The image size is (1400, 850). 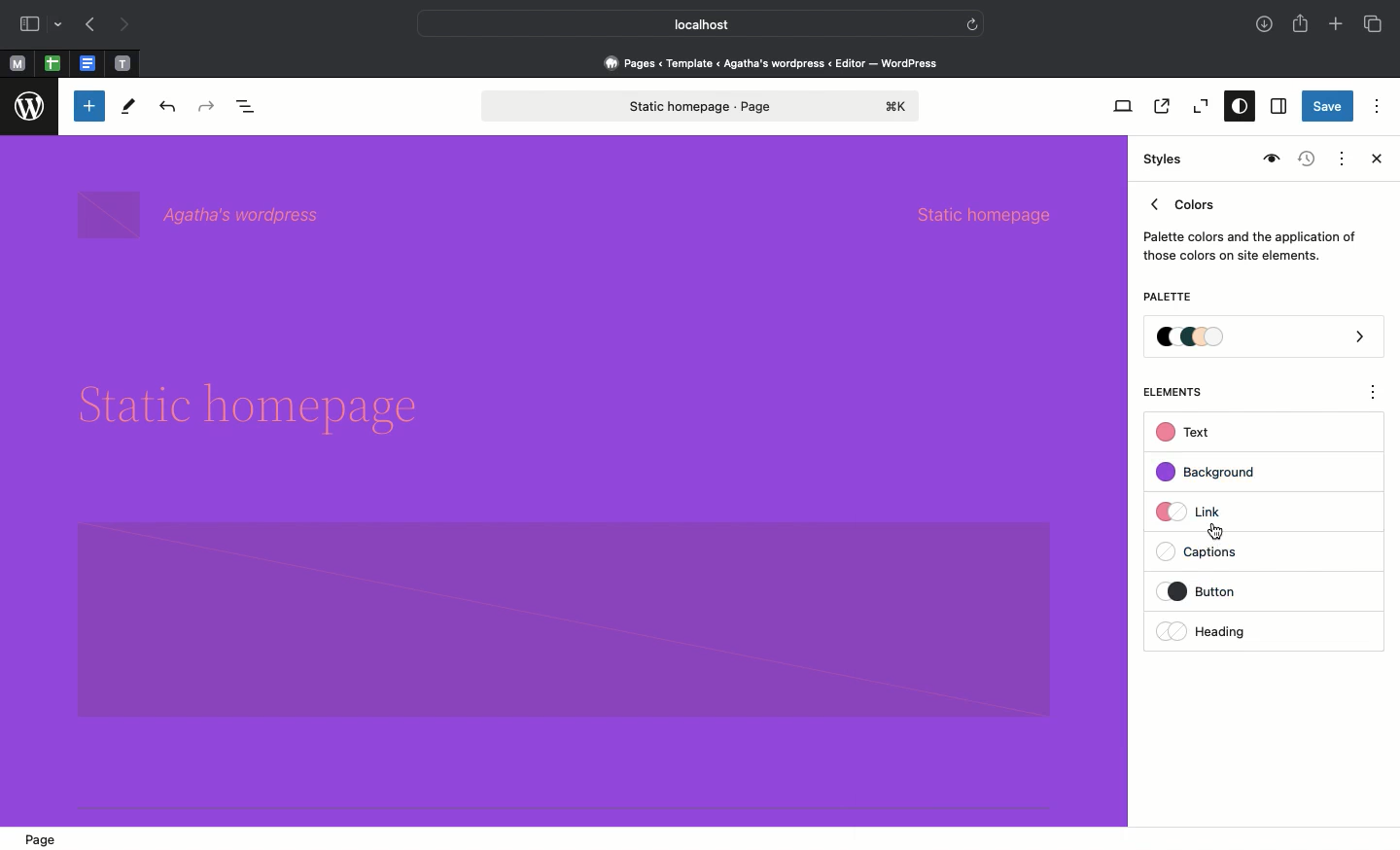 What do you see at coordinates (1373, 160) in the screenshot?
I see `Close` at bounding box center [1373, 160].